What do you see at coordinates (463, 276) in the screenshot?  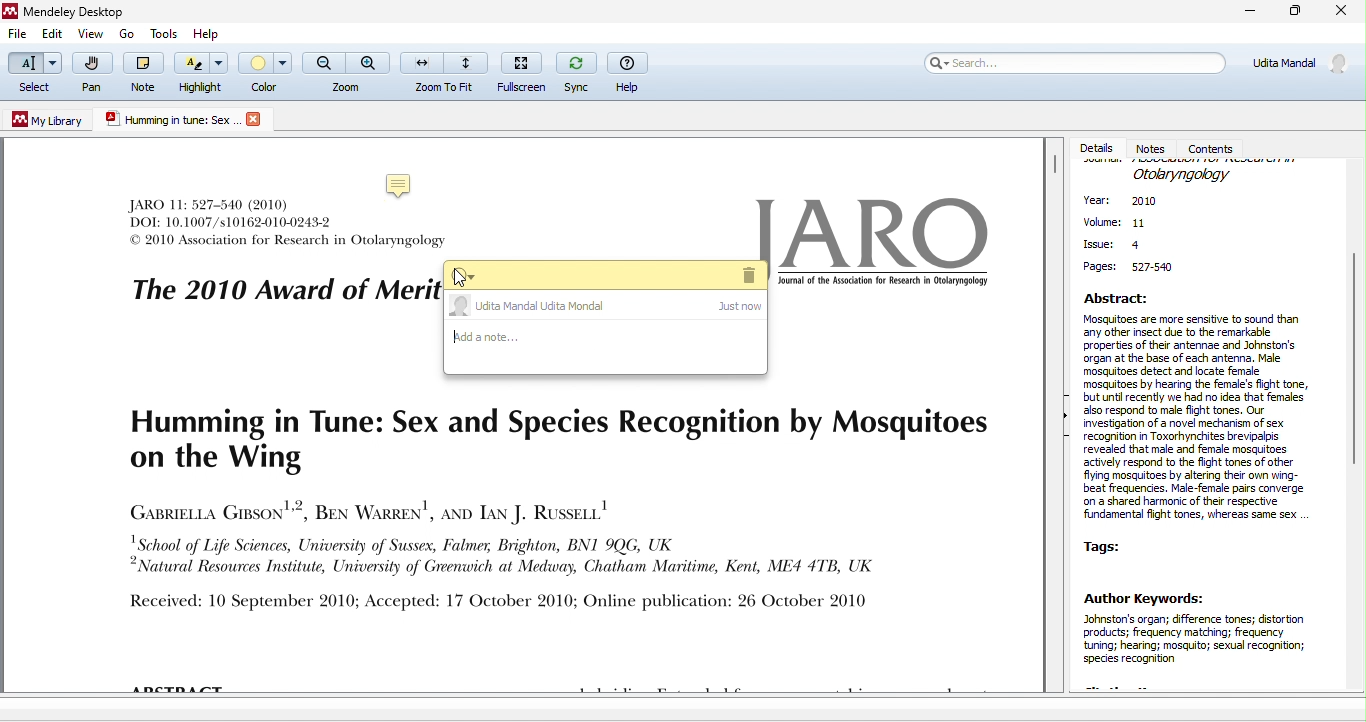 I see `menu` at bounding box center [463, 276].